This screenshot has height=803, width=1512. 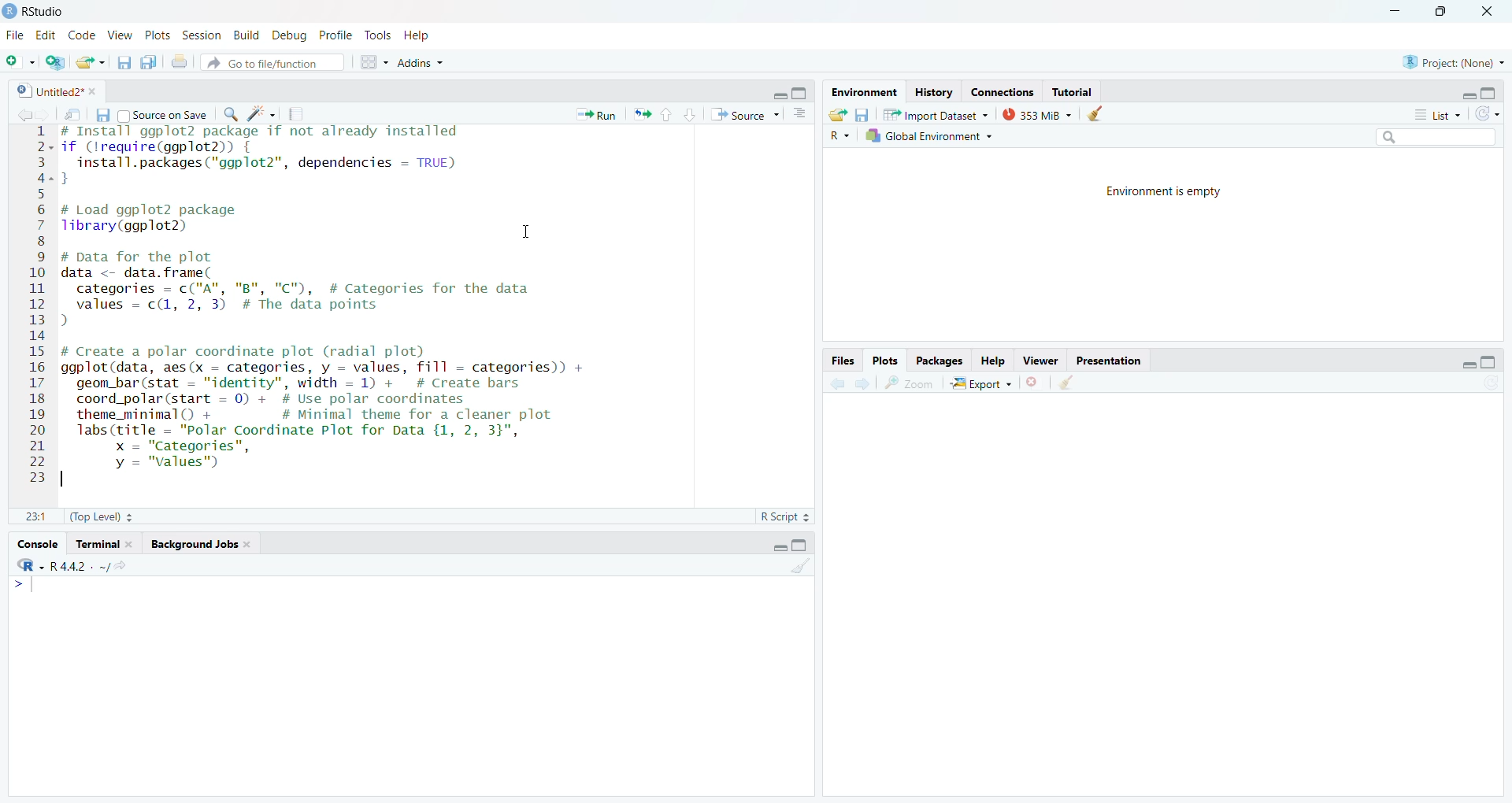 I want to click on hide console, so click(x=1490, y=92).